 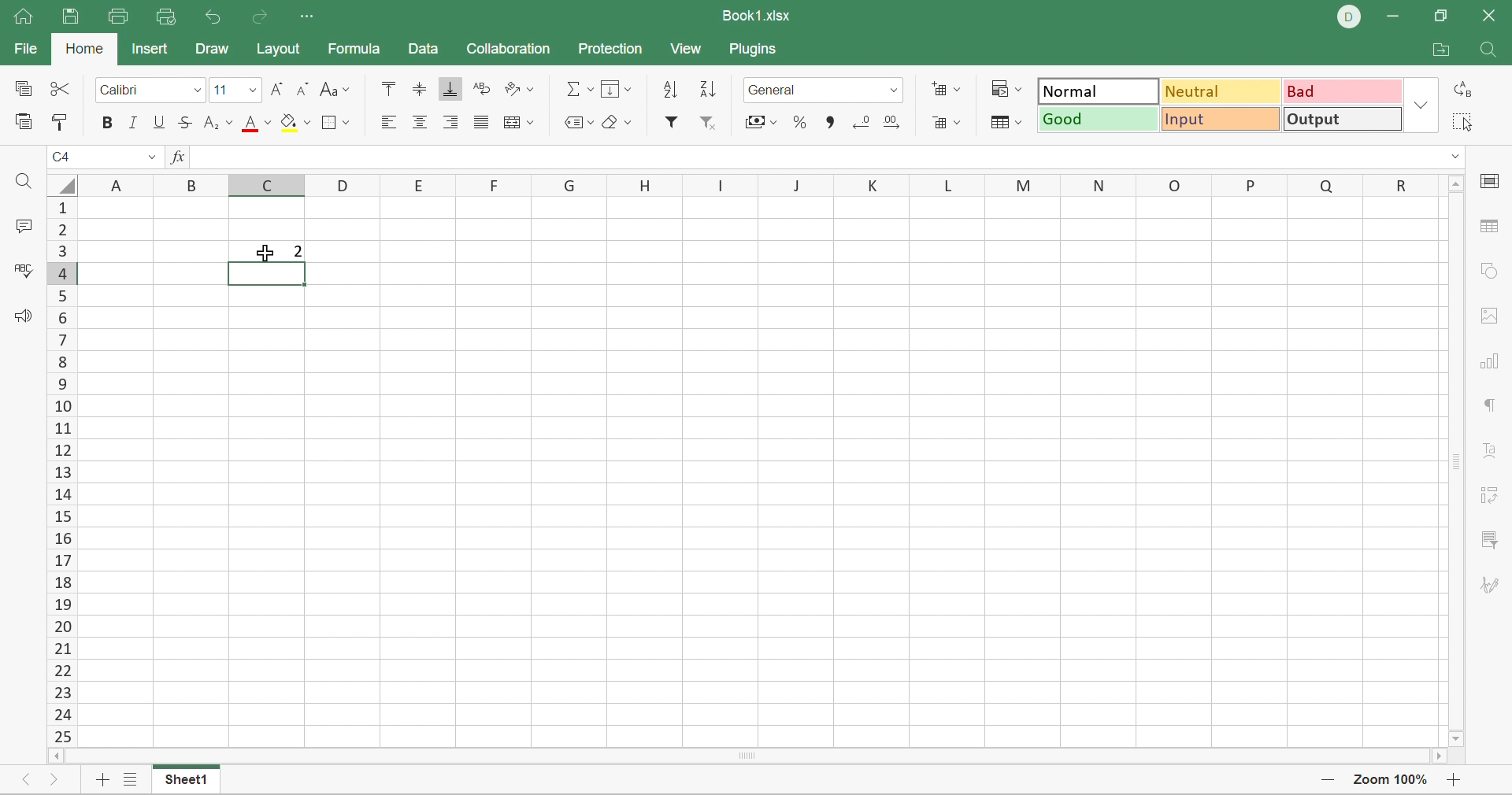 I want to click on Bad, so click(x=1341, y=91).